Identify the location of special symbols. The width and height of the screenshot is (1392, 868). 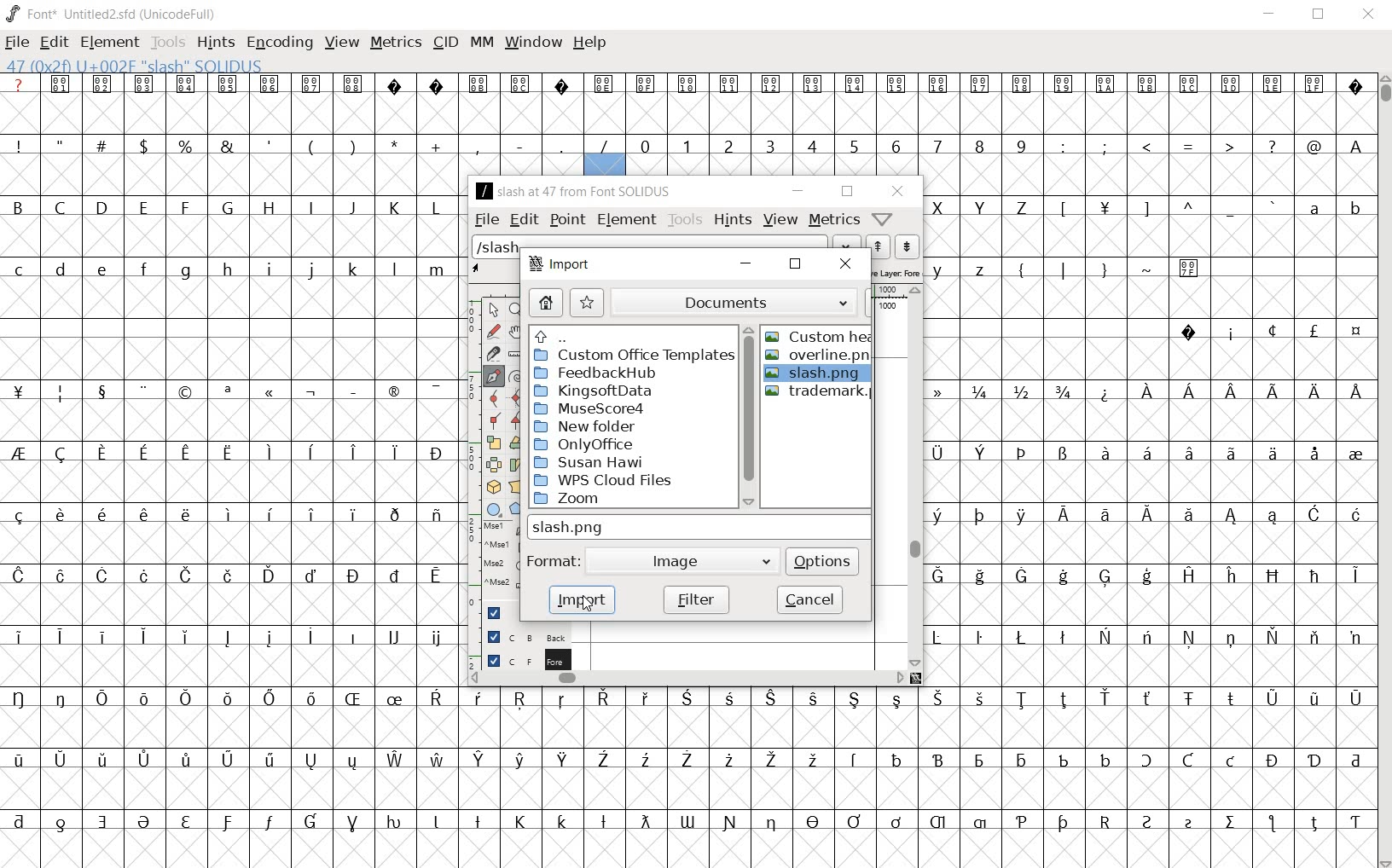
(1263, 330).